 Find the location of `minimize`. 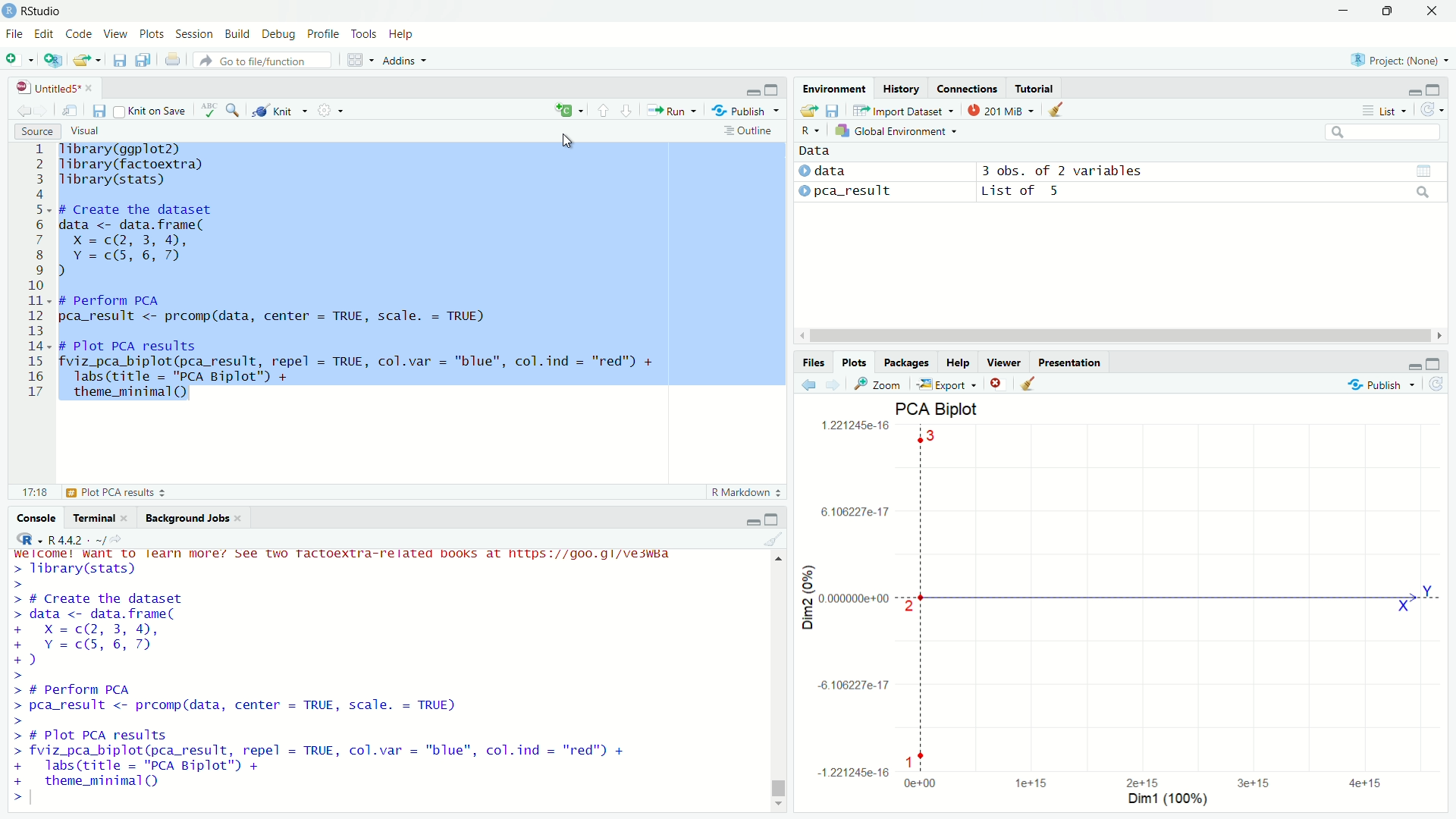

minimize is located at coordinates (1413, 90).